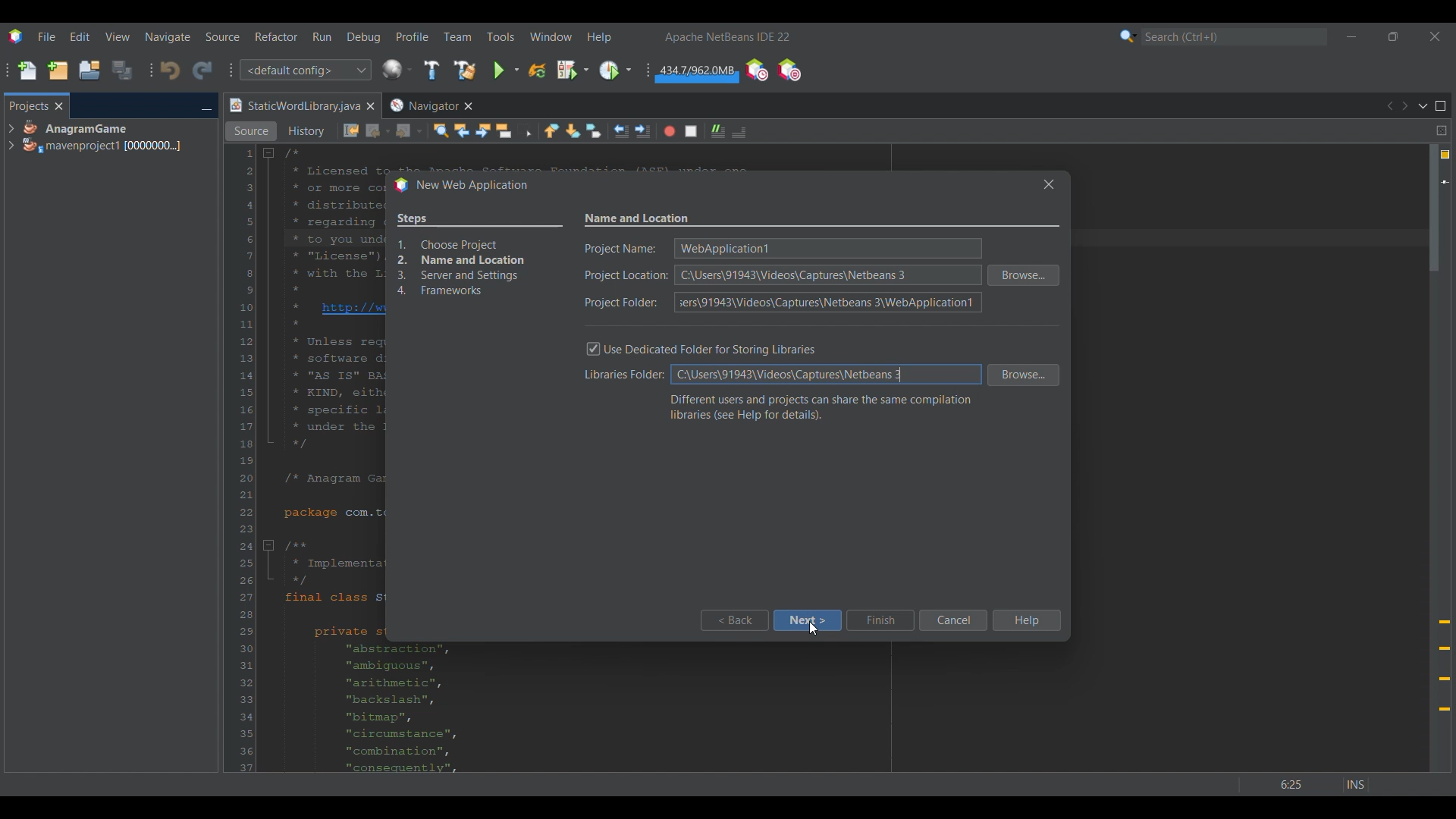 The image size is (1456, 819). What do you see at coordinates (808, 620) in the screenshot?
I see `Next highlighted by cursor` at bounding box center [808, 620].